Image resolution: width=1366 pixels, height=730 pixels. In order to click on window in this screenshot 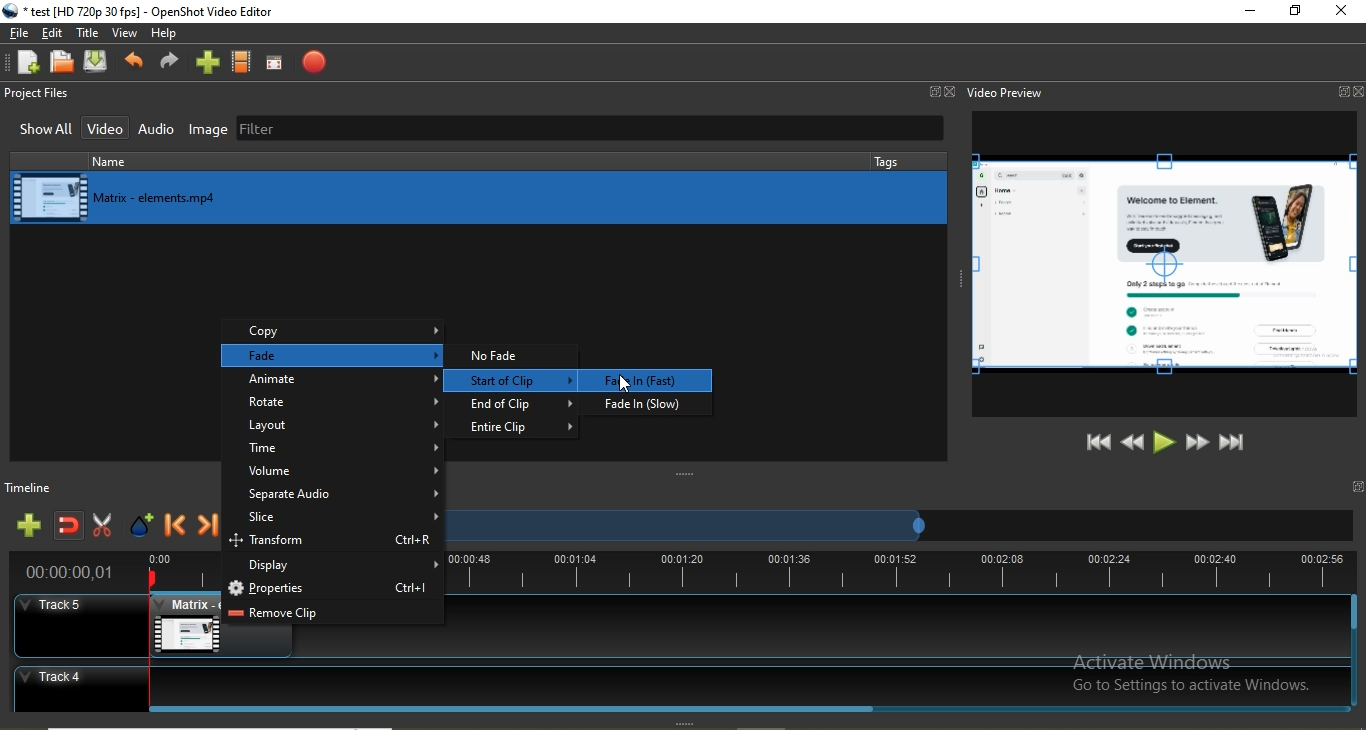, I will do `click(1357, 487)`.